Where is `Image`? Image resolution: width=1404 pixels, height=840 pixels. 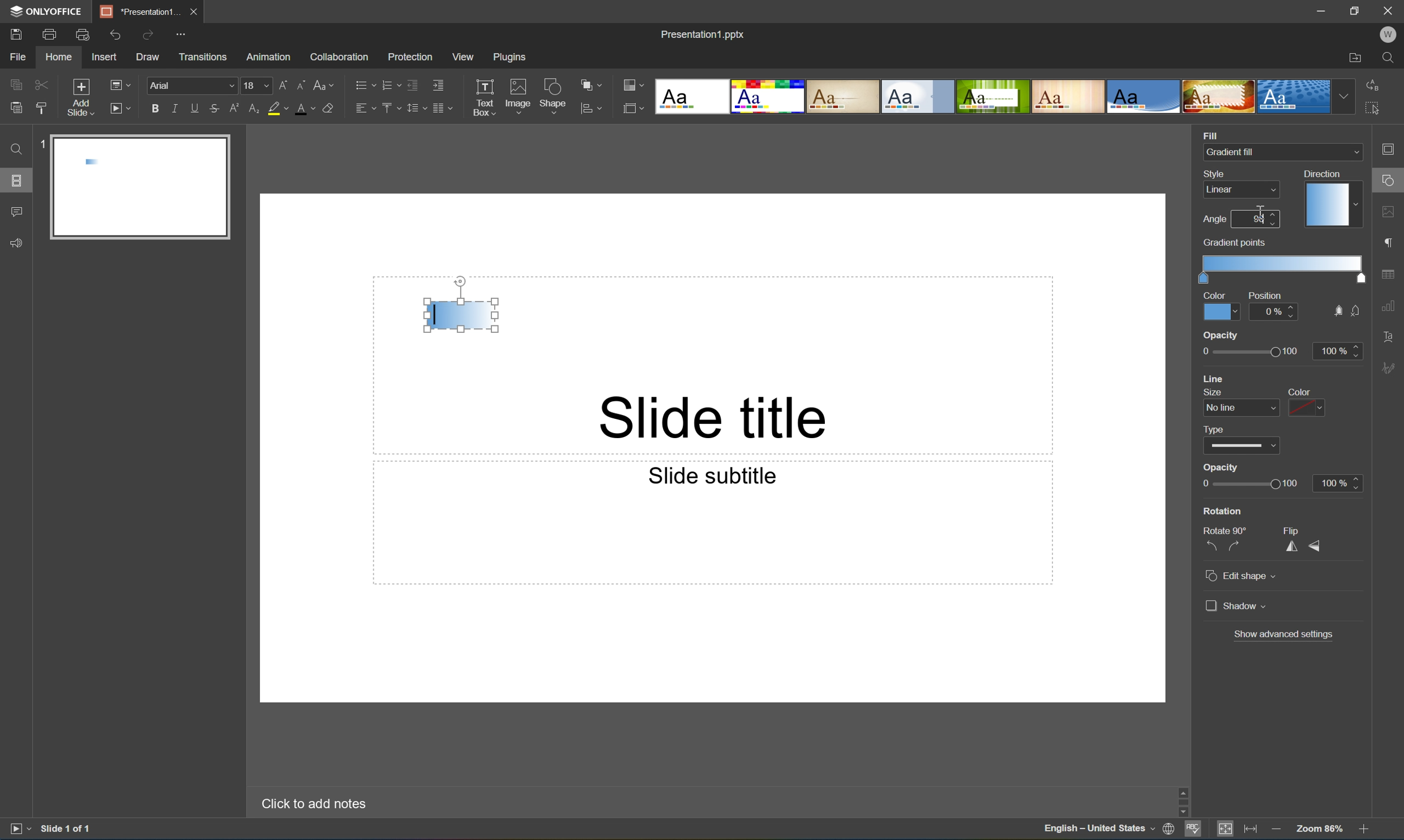 Image is located at coordinates (519, 98).